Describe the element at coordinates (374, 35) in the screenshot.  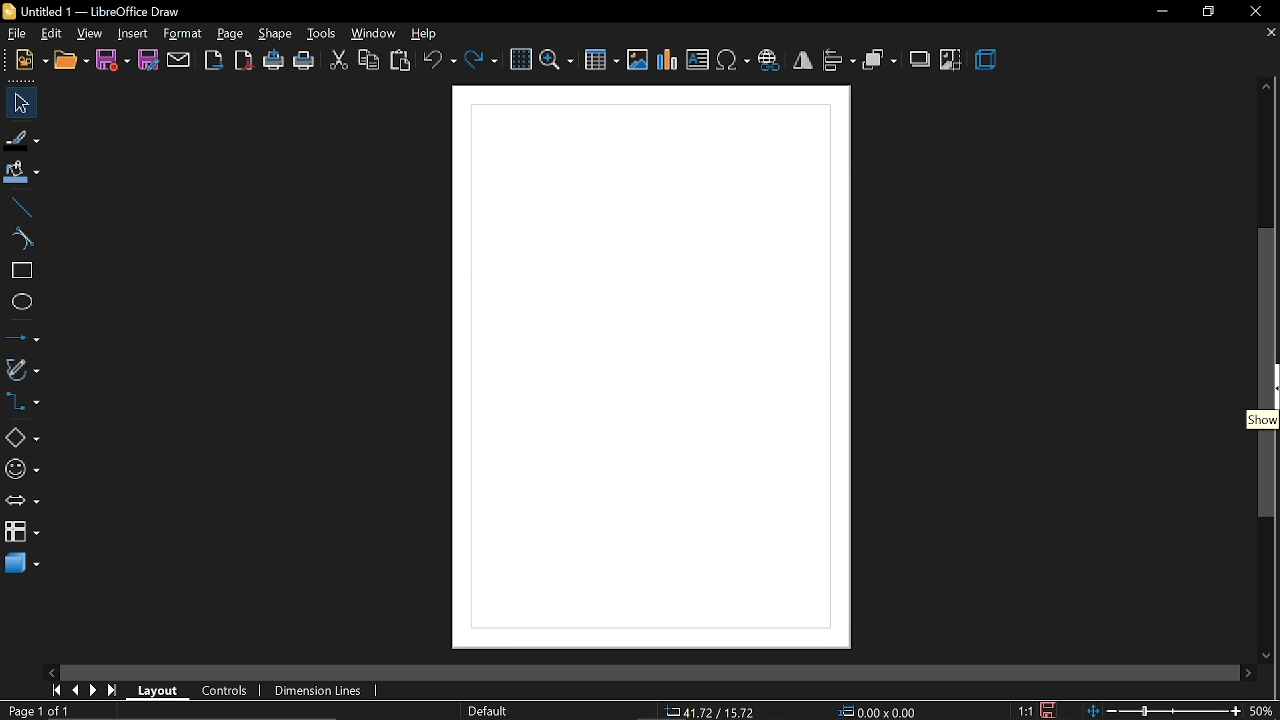
I see `window` at that location.